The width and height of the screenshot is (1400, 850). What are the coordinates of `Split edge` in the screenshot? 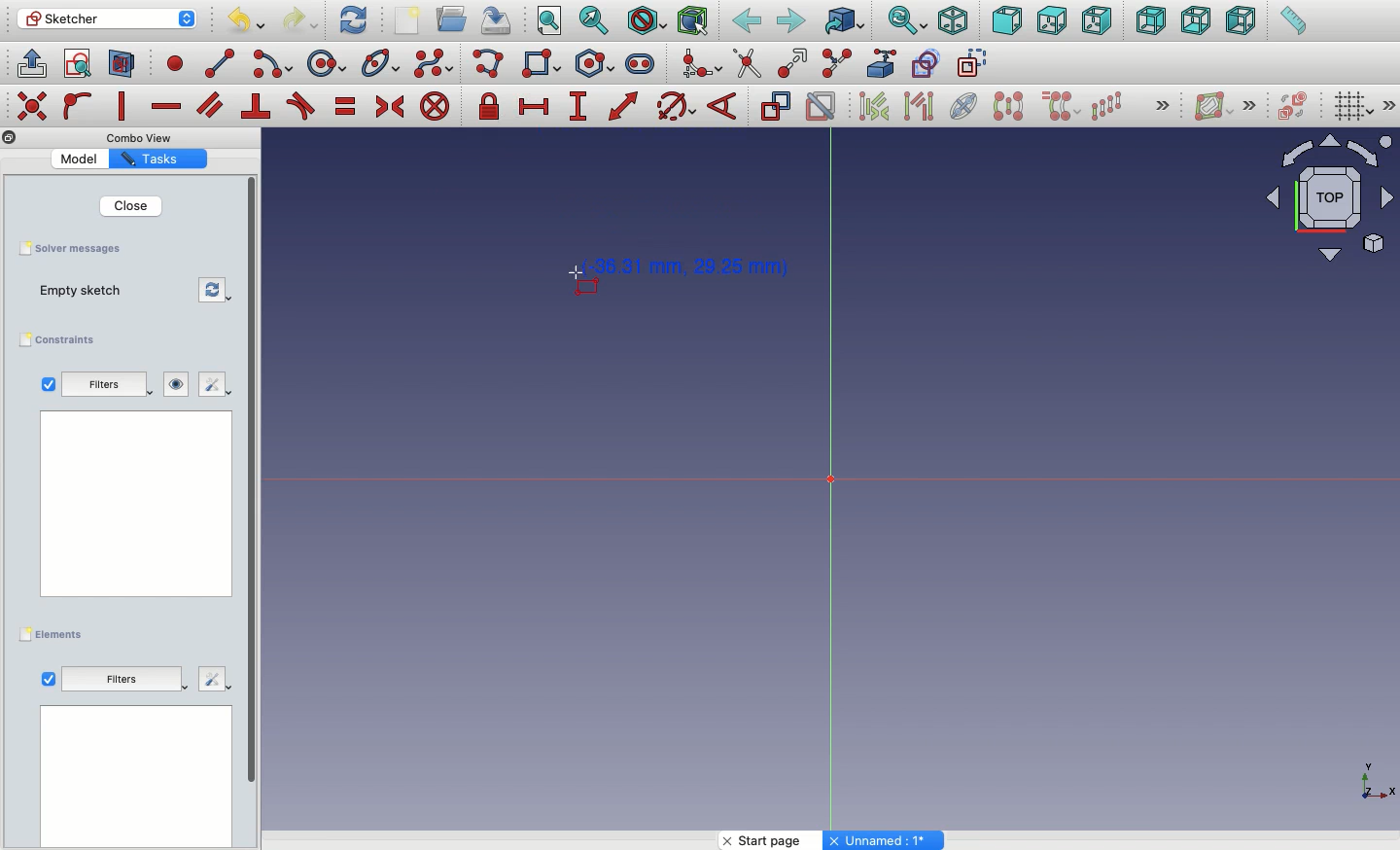 It's located at (836, 64).